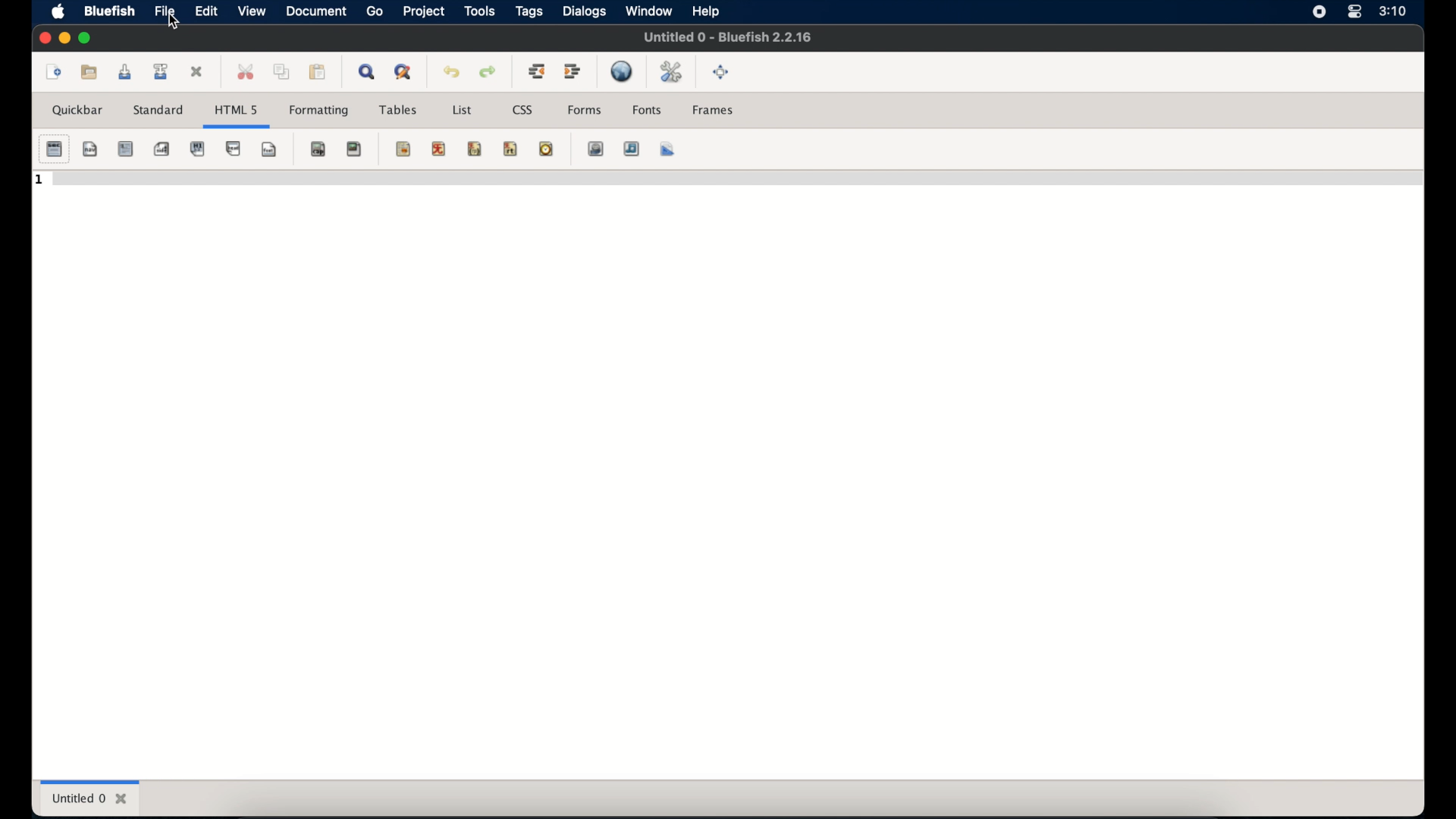 The image size is (1456, 819). Describe the element at coordinates (90, 71) in the screenshot. I see `open` at that location.